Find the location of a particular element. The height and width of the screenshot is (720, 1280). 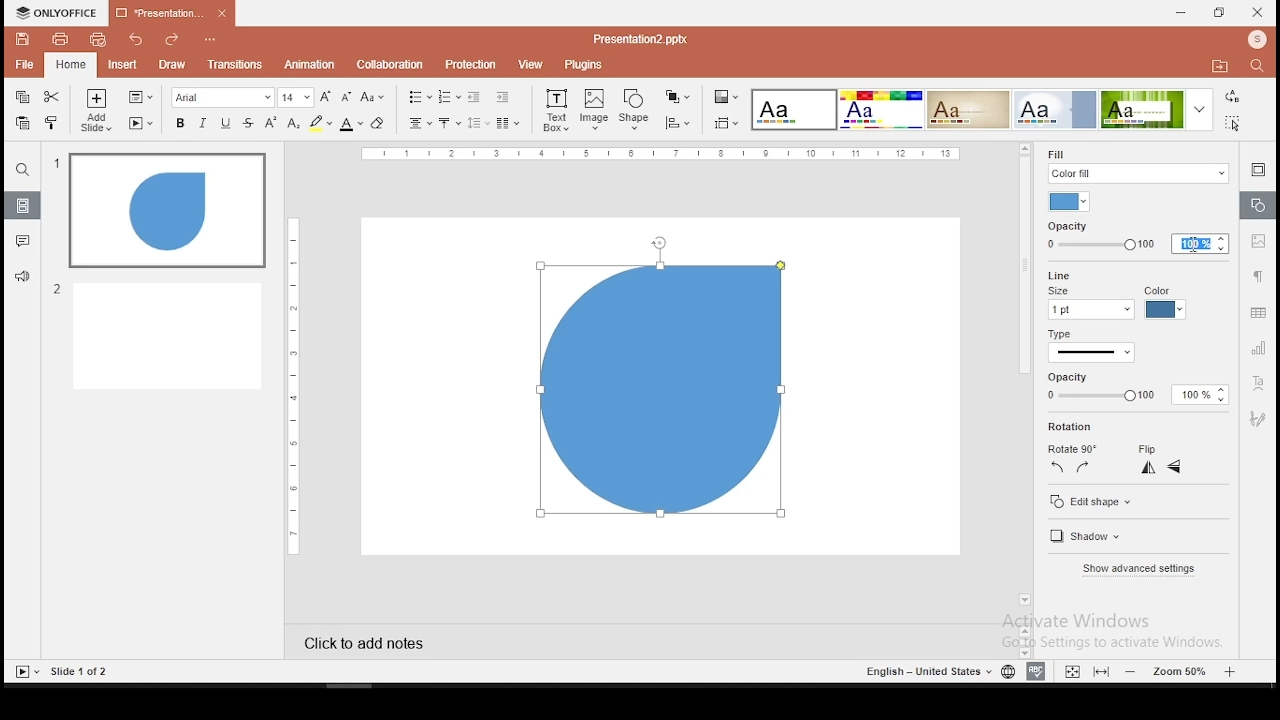

flip vertical is located at coordinates (1150, 470).